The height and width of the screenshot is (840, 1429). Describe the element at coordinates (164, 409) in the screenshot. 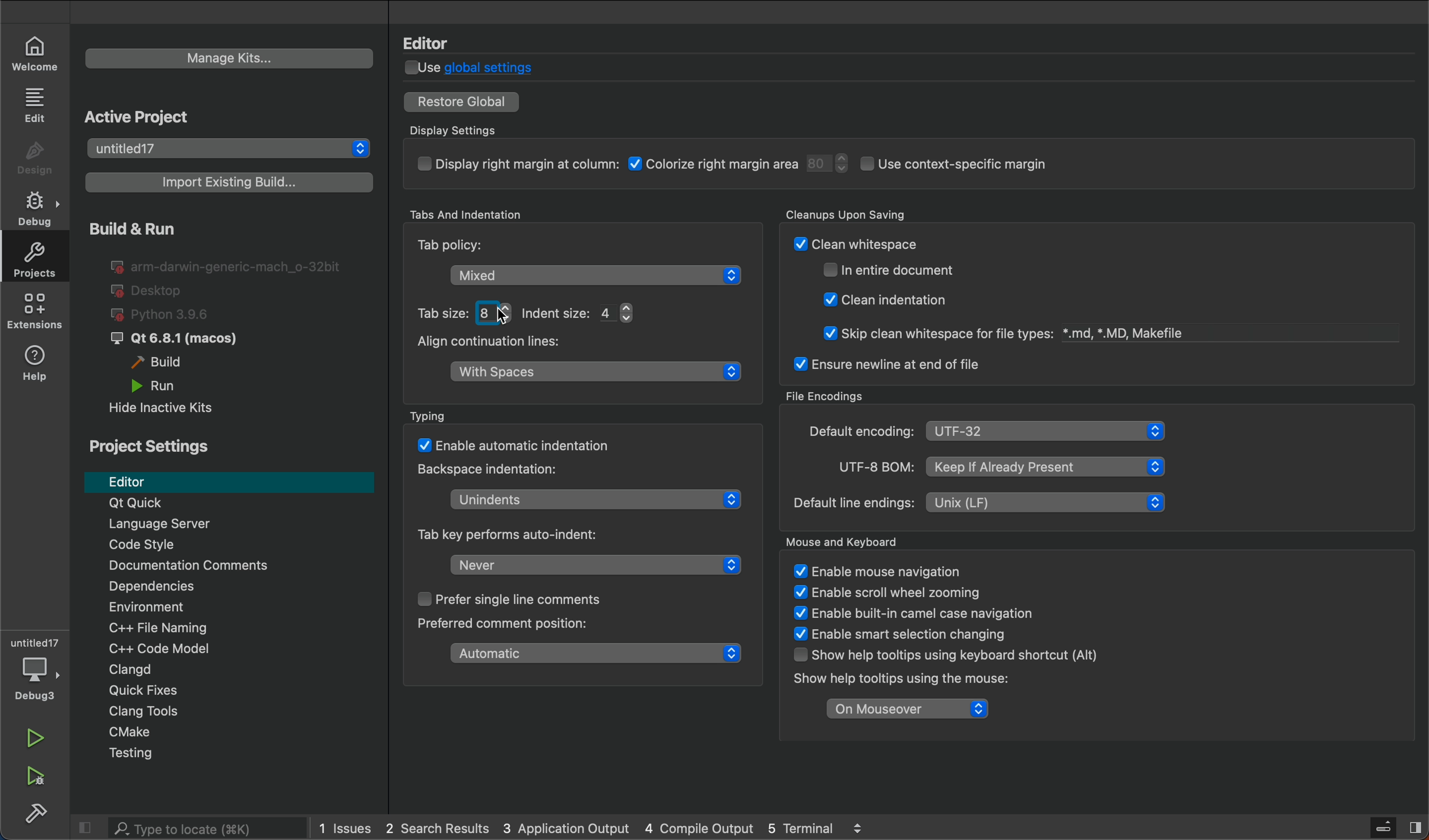

I see `hide inactive kits` at that location.